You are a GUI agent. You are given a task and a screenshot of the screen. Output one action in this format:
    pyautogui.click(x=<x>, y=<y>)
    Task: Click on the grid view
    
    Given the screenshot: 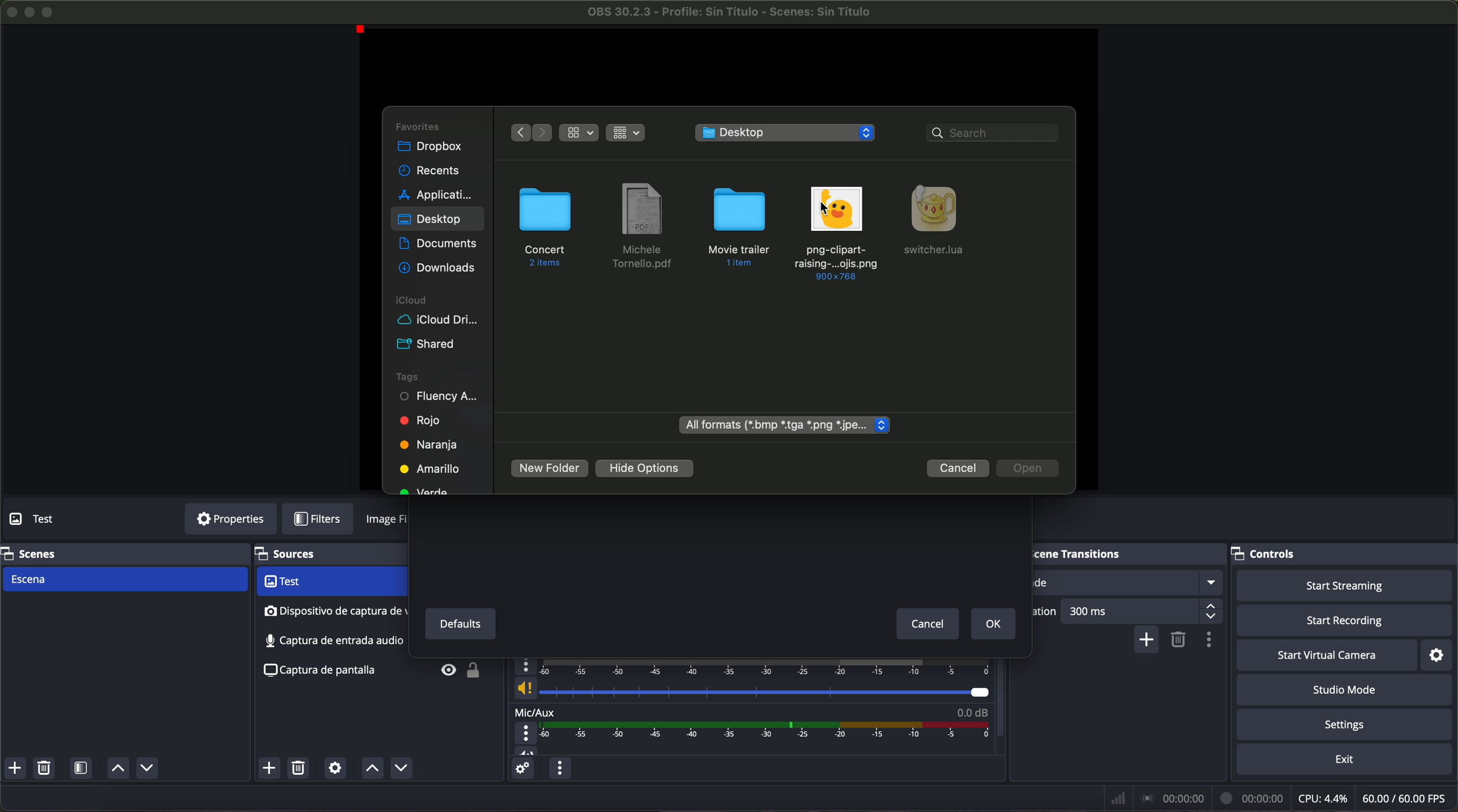 What is the action you would take?
    pyautogui.click(x=579, y=133)
    